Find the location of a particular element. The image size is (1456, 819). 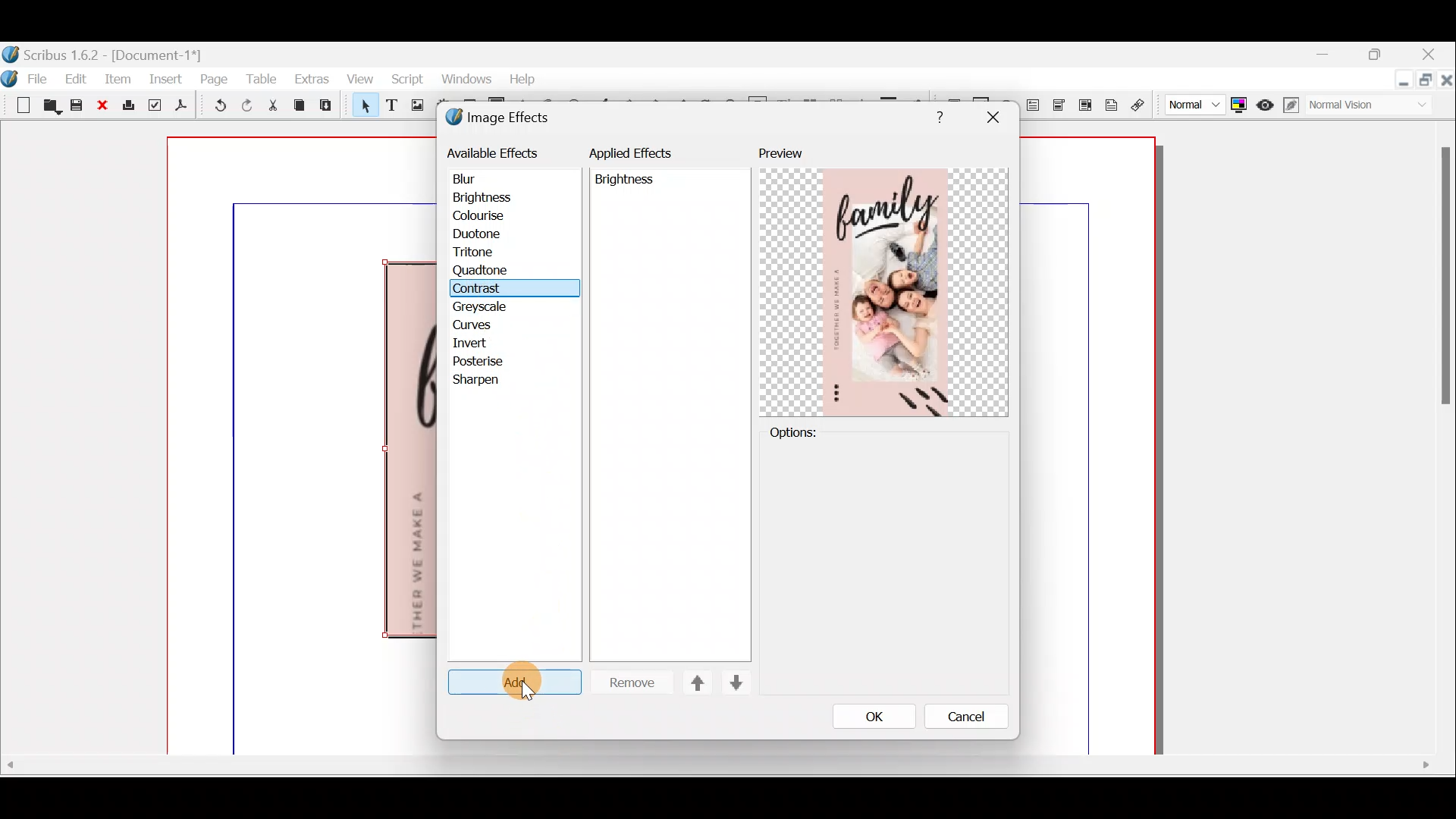

Open is located at coordinates (49, 108).